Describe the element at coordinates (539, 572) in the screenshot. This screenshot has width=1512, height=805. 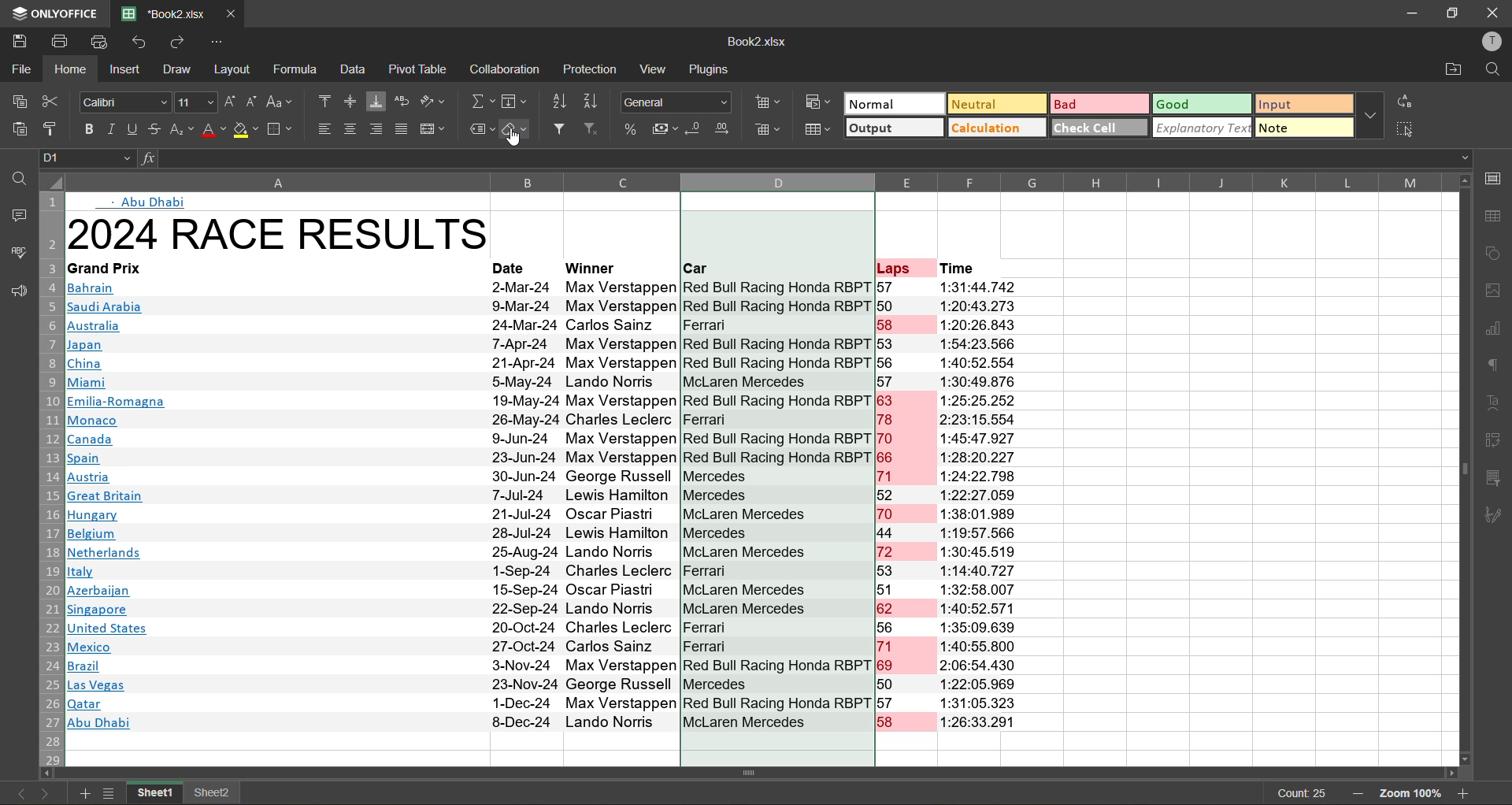
I see `italy 1-Sep-24 Charles Leclerc Ferrari 53 1:14:40.72` at that location.